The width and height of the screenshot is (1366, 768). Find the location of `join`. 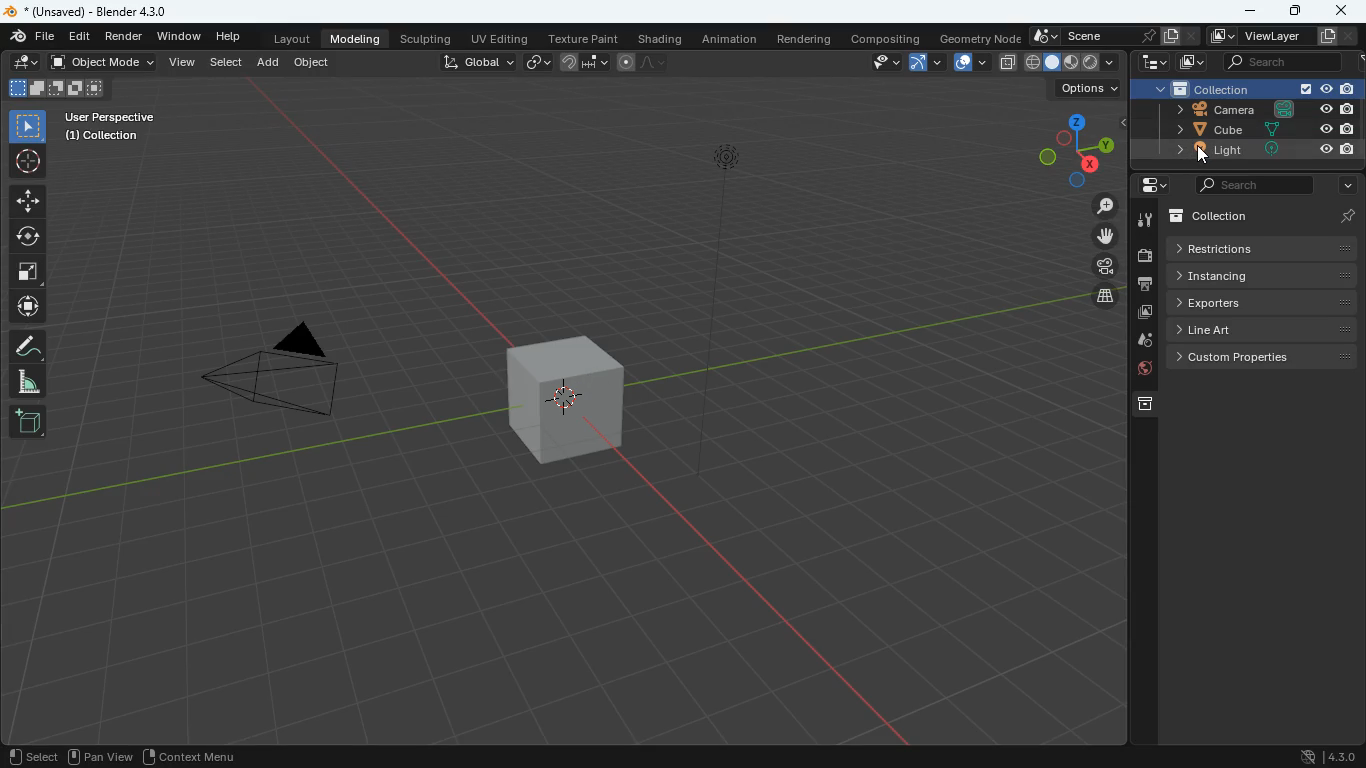

join is located at coordinates (583, 63).